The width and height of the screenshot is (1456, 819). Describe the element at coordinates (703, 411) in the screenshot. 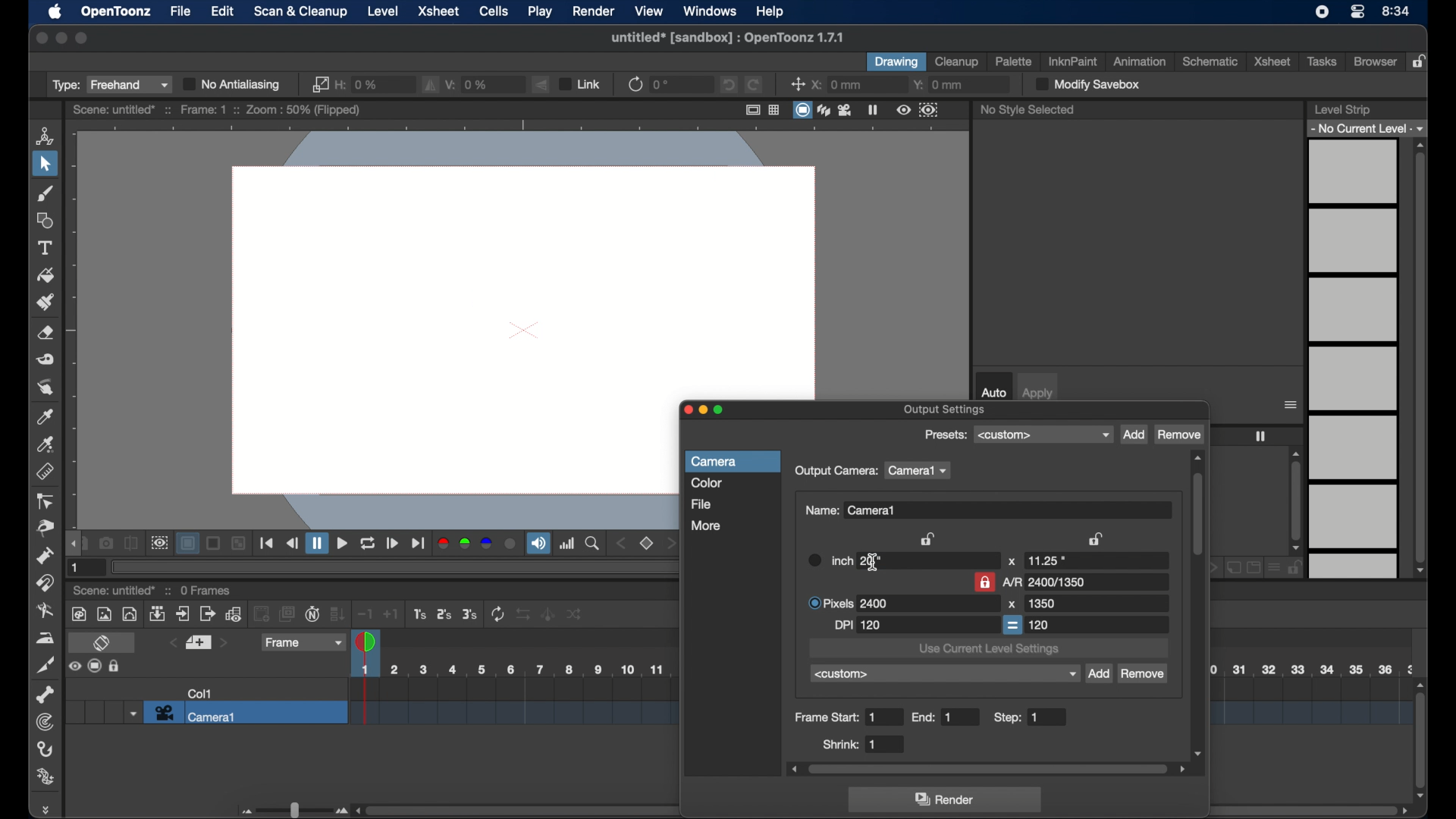

I see `minimize` at that location.